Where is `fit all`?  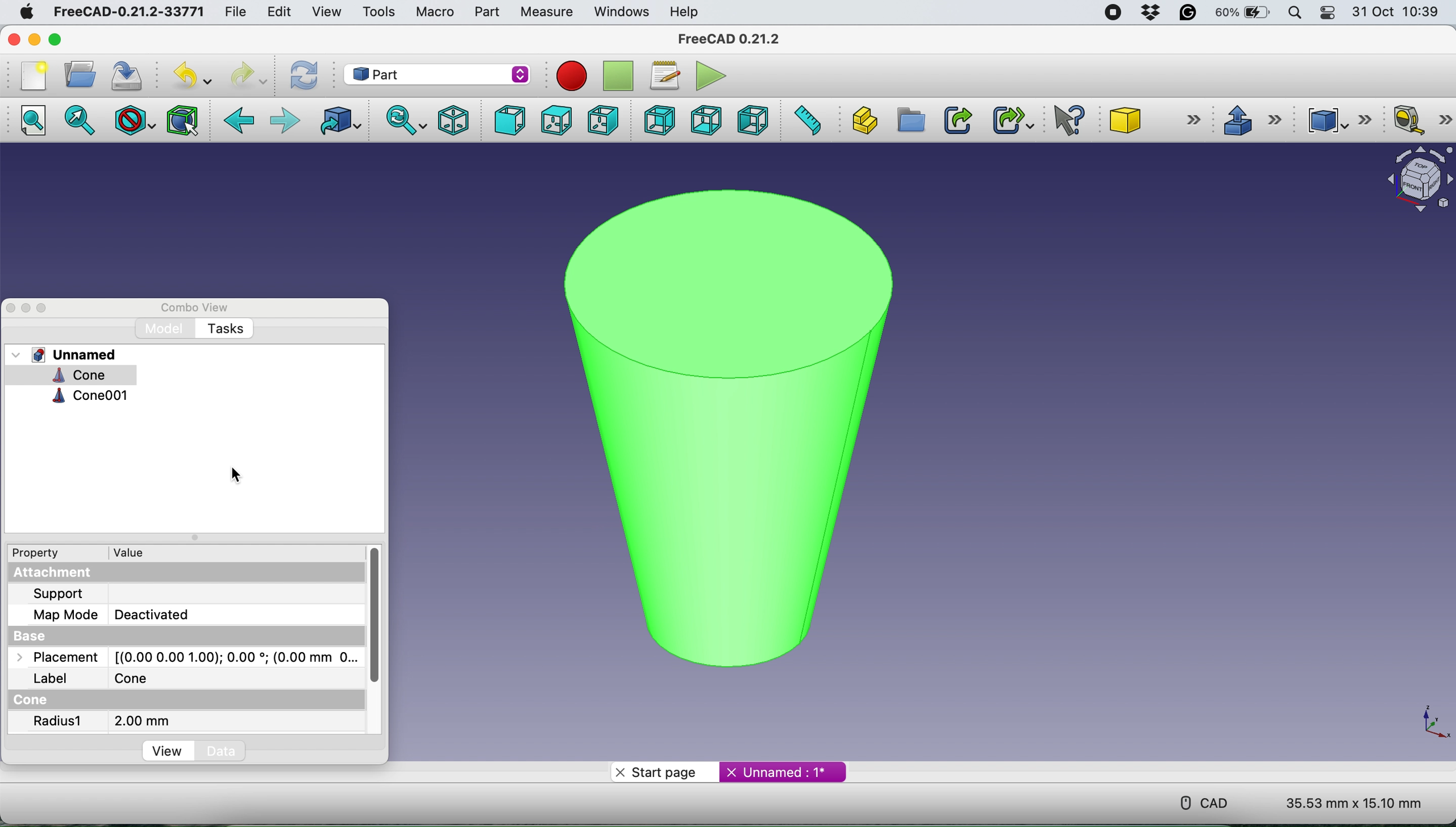
fit all is located at coordinates (37, 124).